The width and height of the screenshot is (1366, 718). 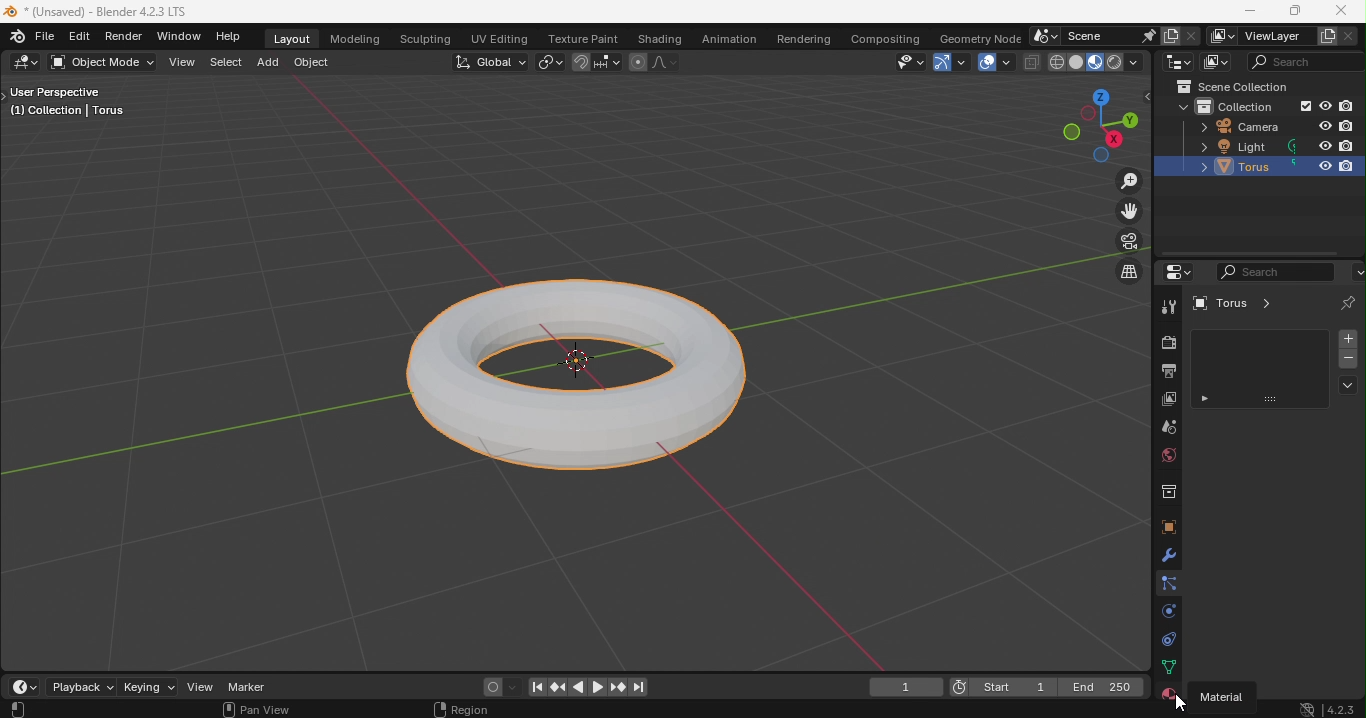 I want to click on Play animation, so click(x=577, y=687).